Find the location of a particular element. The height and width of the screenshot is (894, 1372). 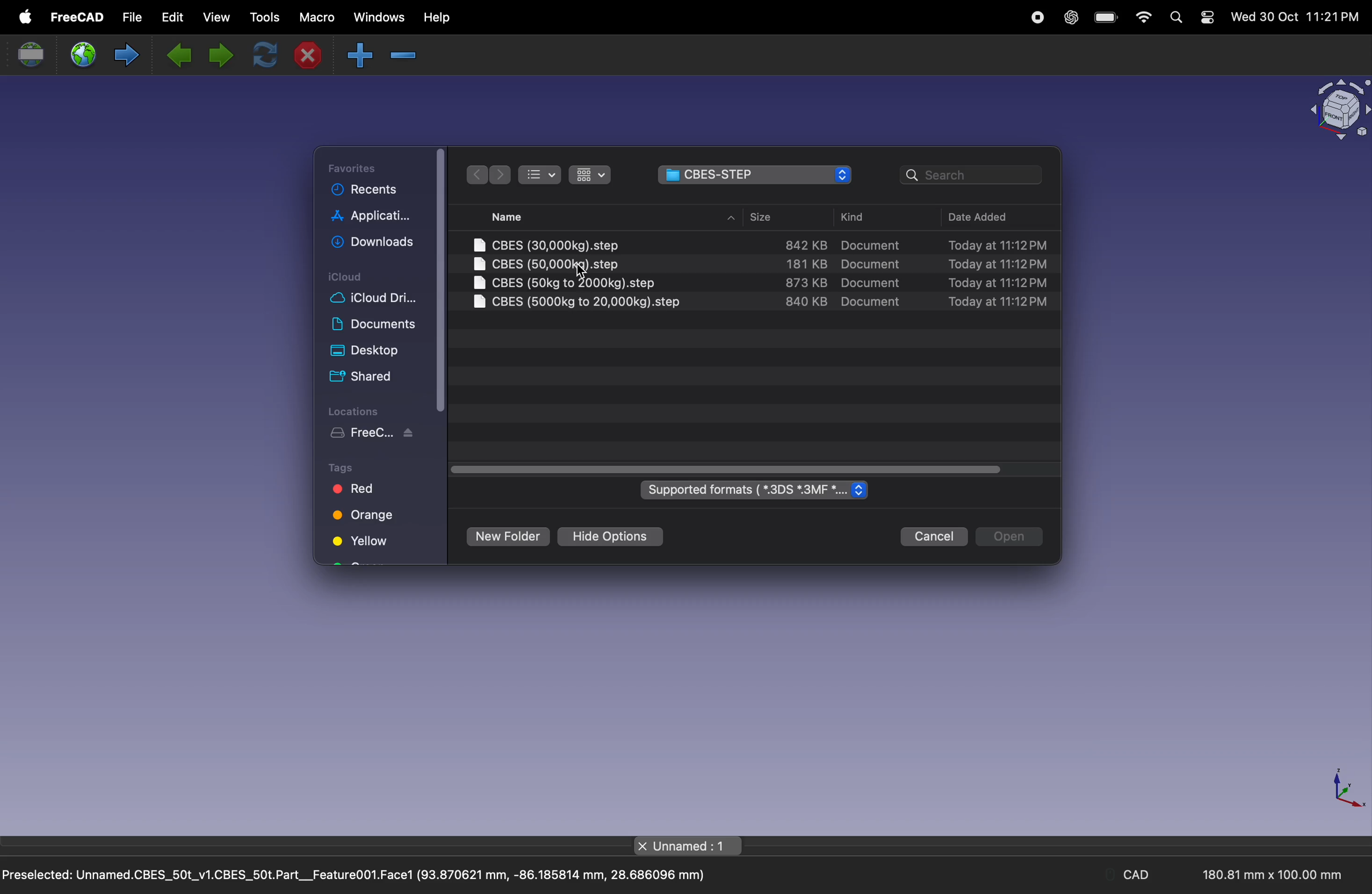

forward is located at coordinates (124, 56).